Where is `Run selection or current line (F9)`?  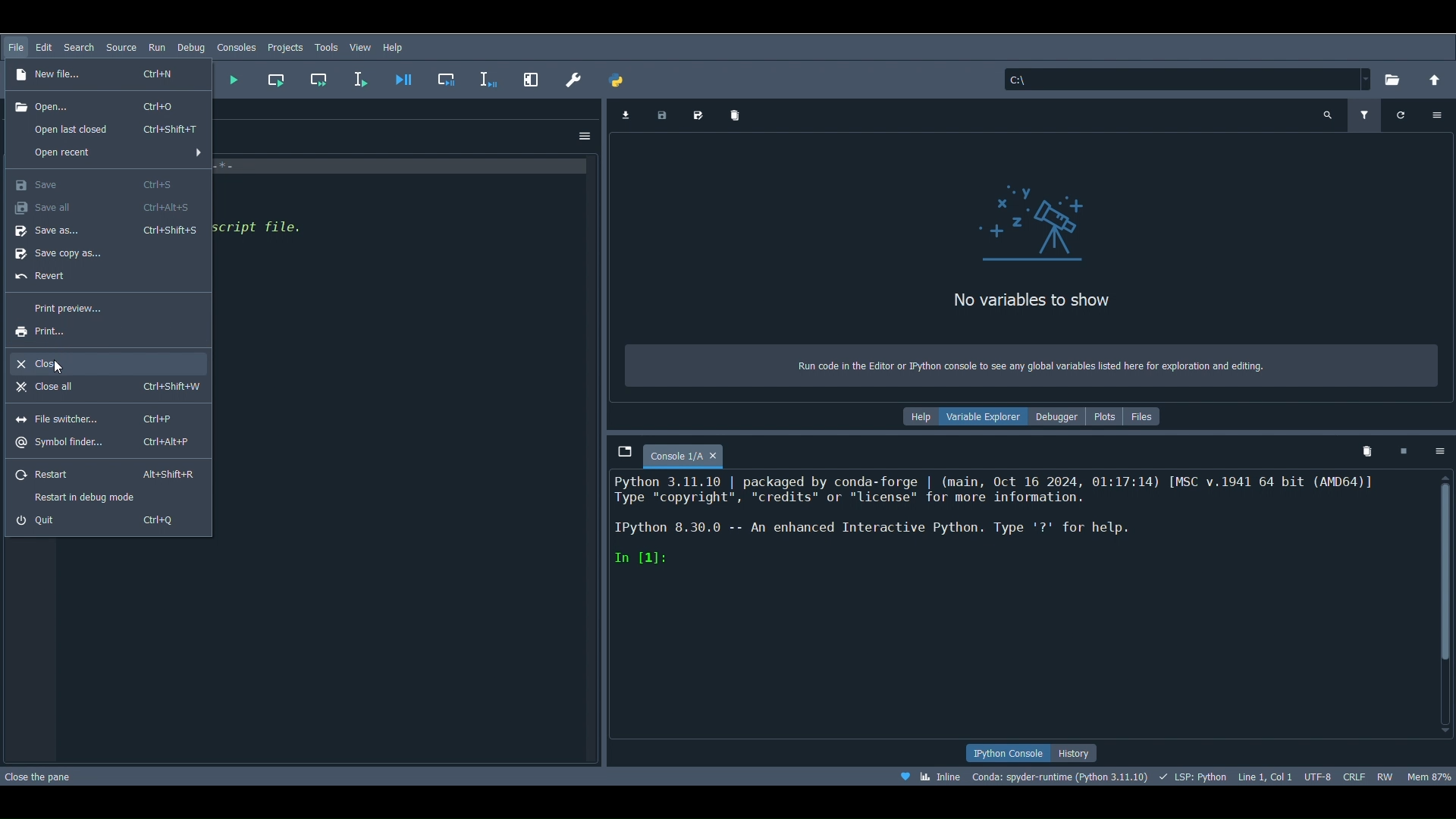 Run selection or current line (F9) is located at coordinates (362, 76).